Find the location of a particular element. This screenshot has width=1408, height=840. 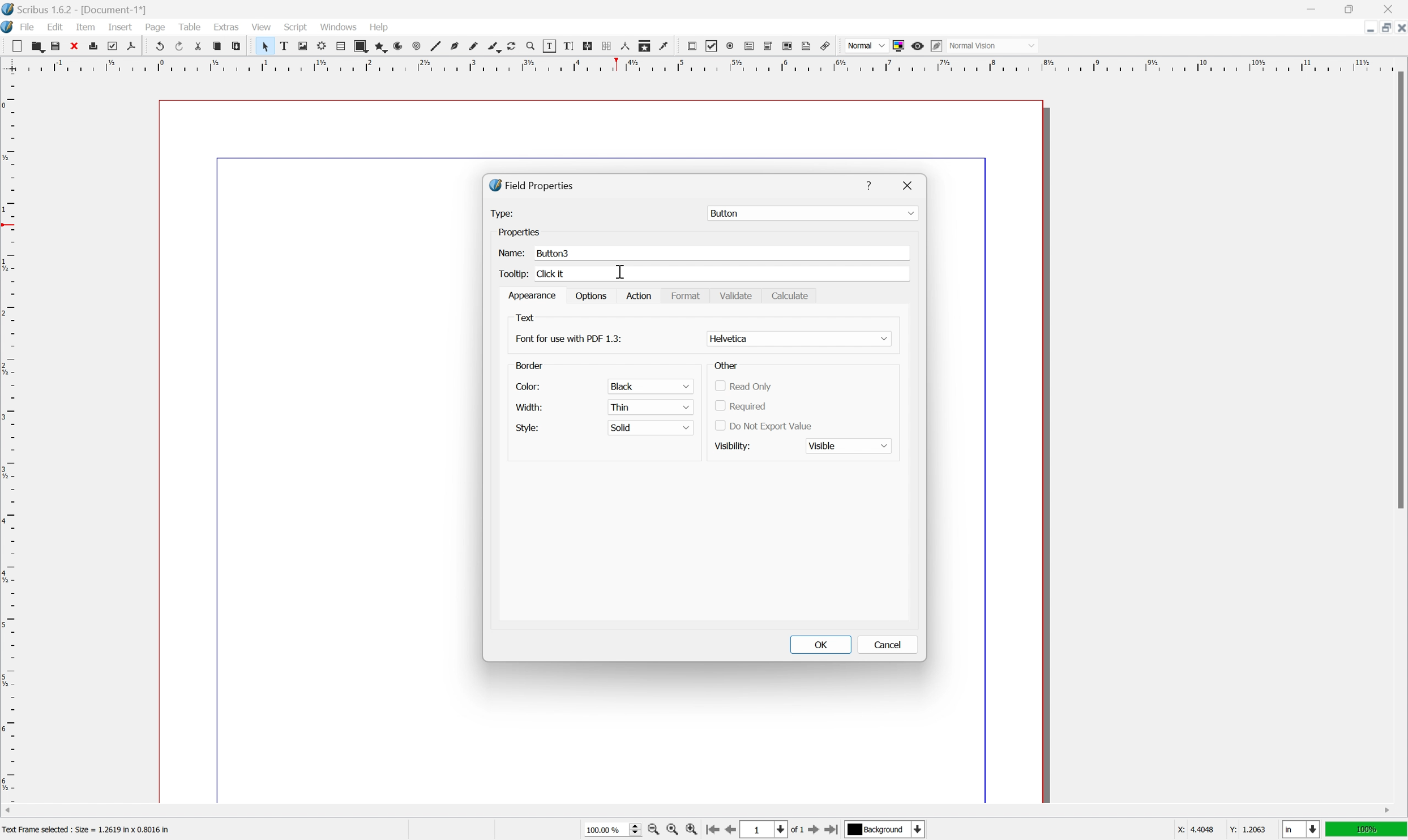

zoom in or zoom out is located at coordinates (532, 46).